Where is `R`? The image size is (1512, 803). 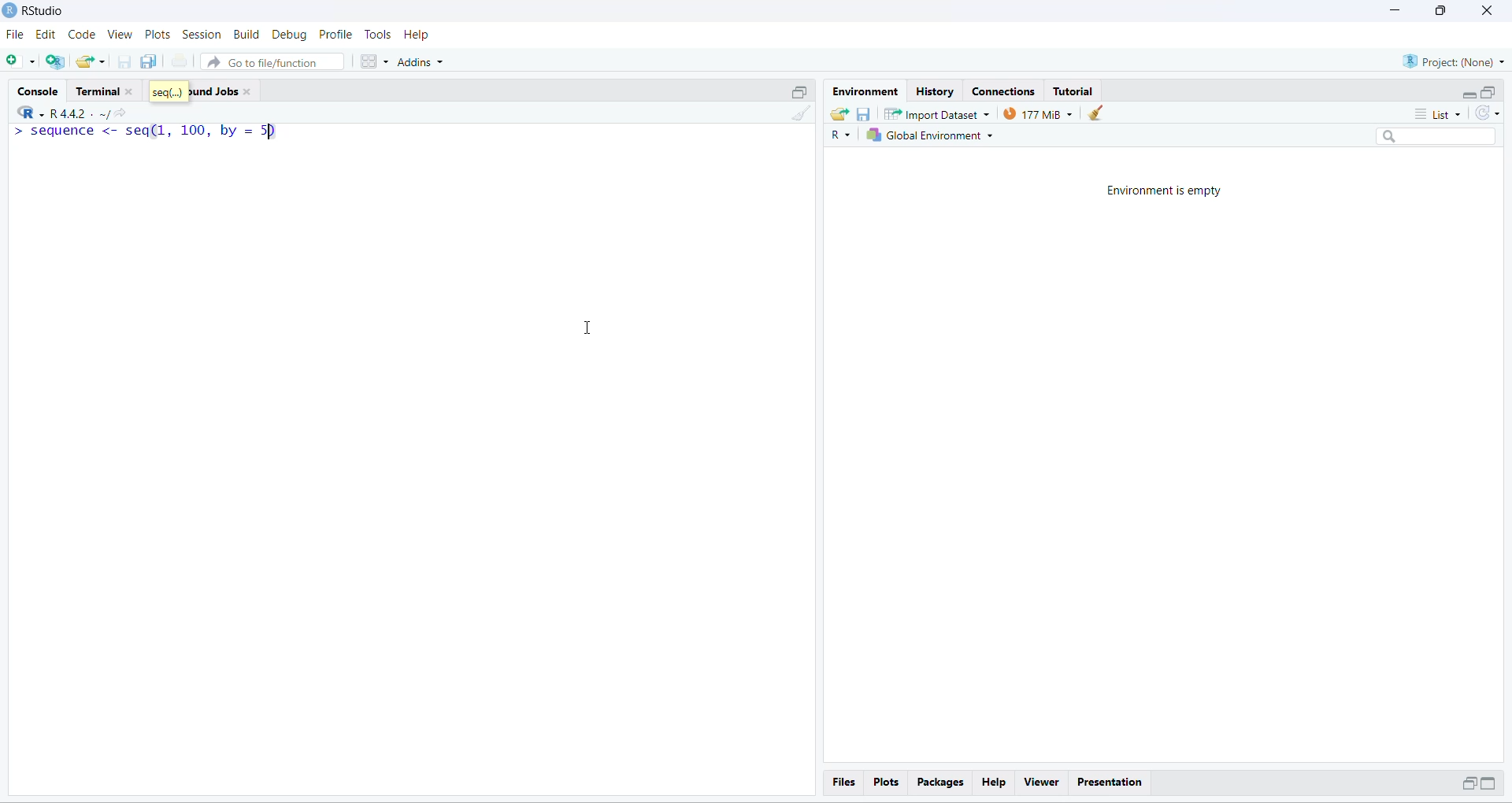
R is located at coordinates (840, 135).